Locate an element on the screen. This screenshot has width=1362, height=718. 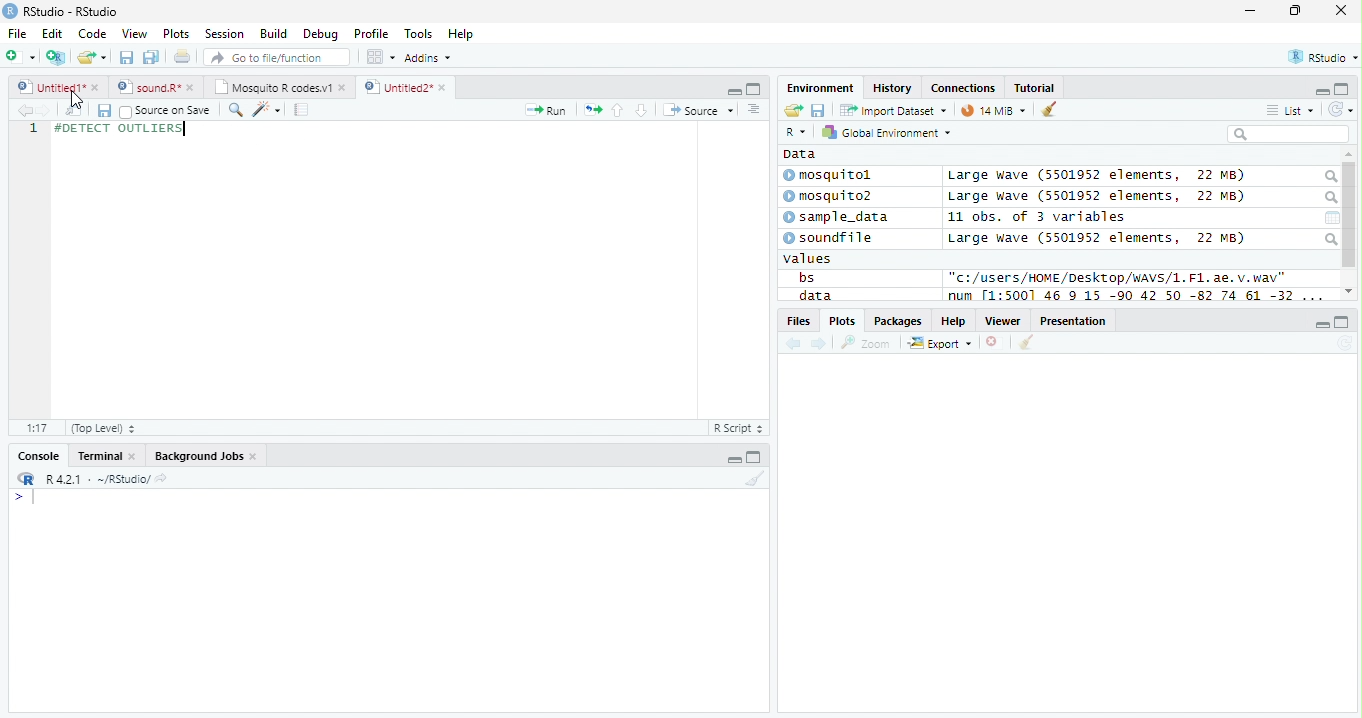
Tools is located at coordinates (418, 35).